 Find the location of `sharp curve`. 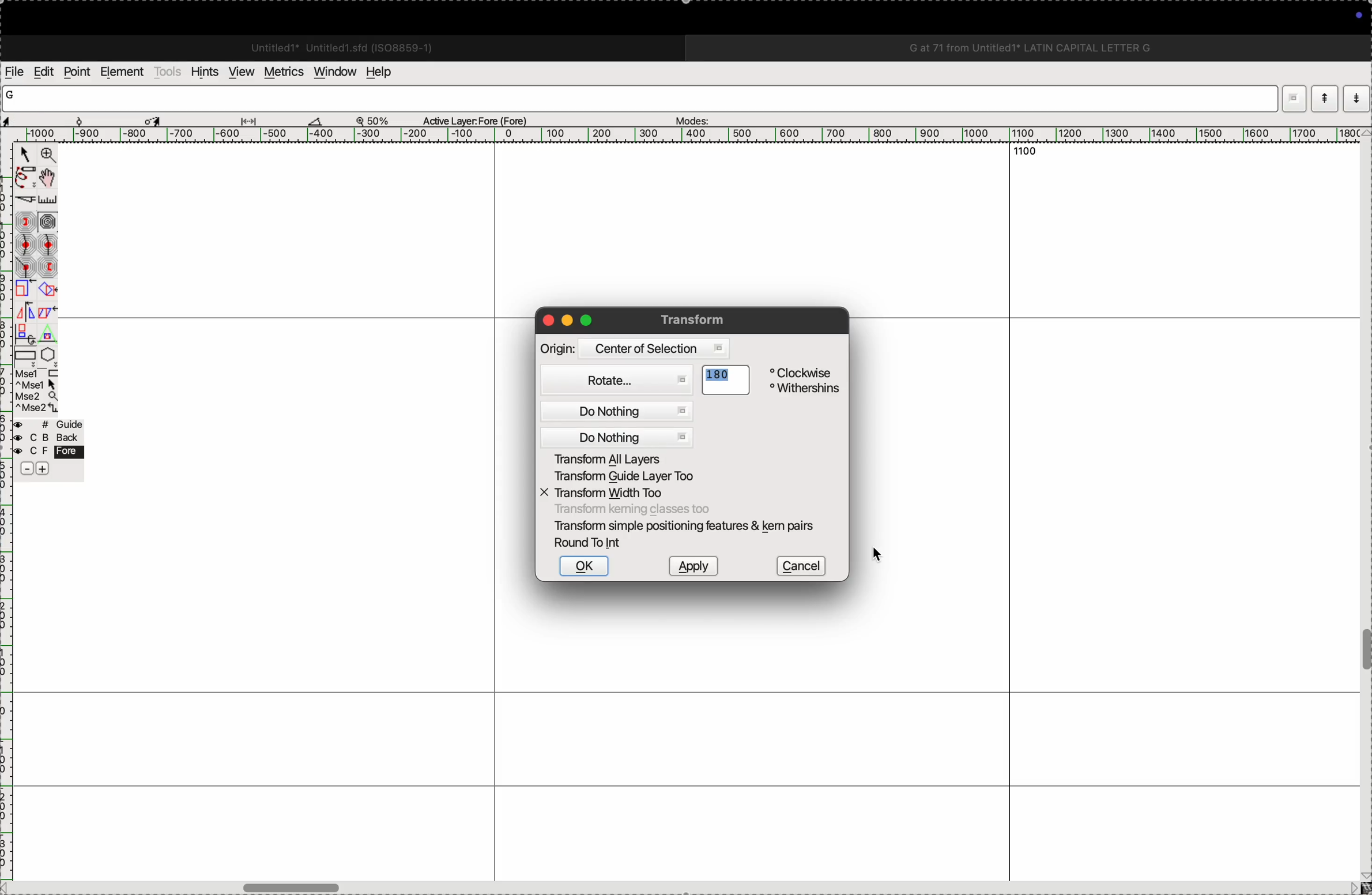

sharp curve is located at coordinates (47, 244).